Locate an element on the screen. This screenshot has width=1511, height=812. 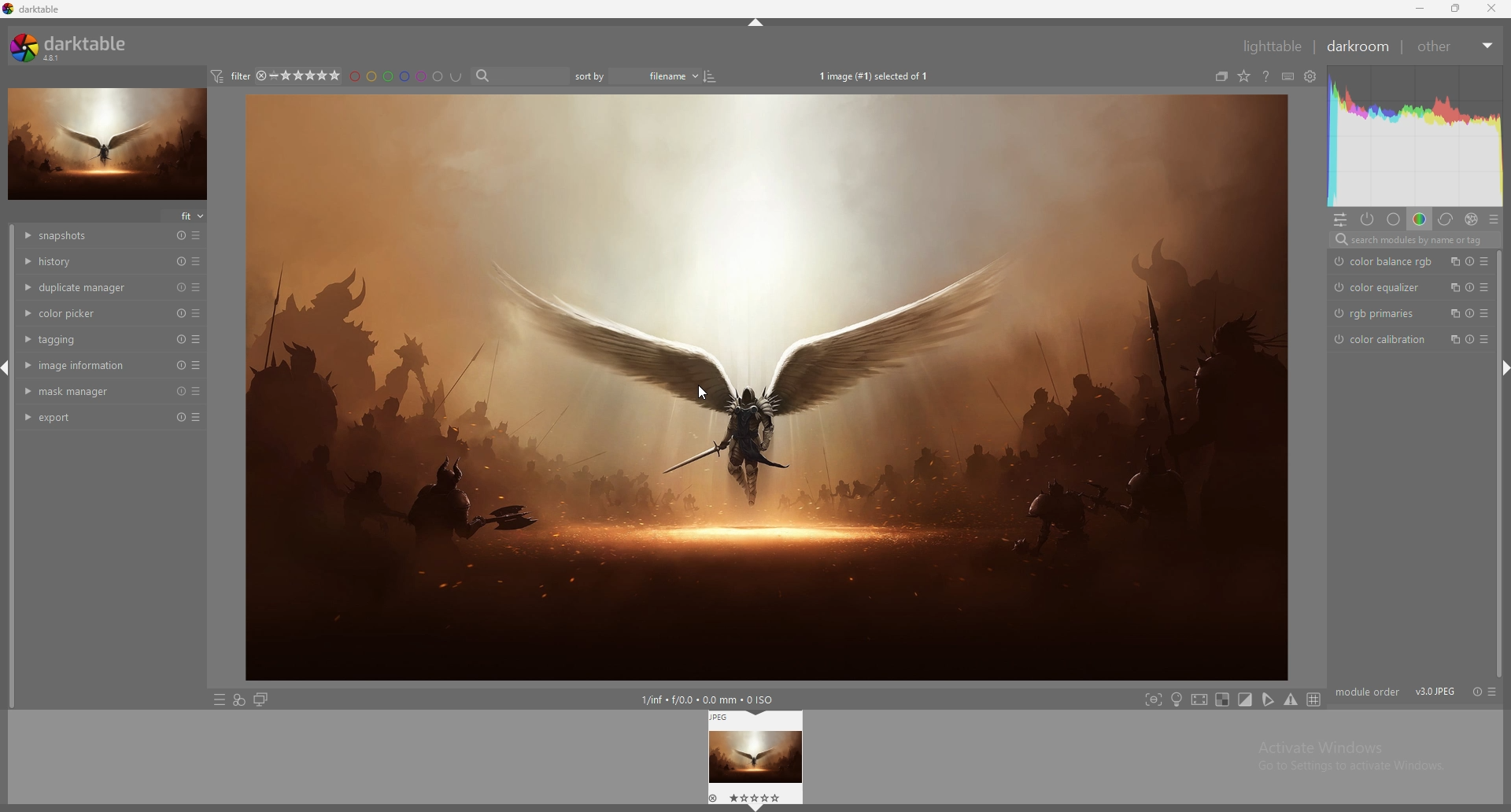
presets is located at coordinates (1486, 287).